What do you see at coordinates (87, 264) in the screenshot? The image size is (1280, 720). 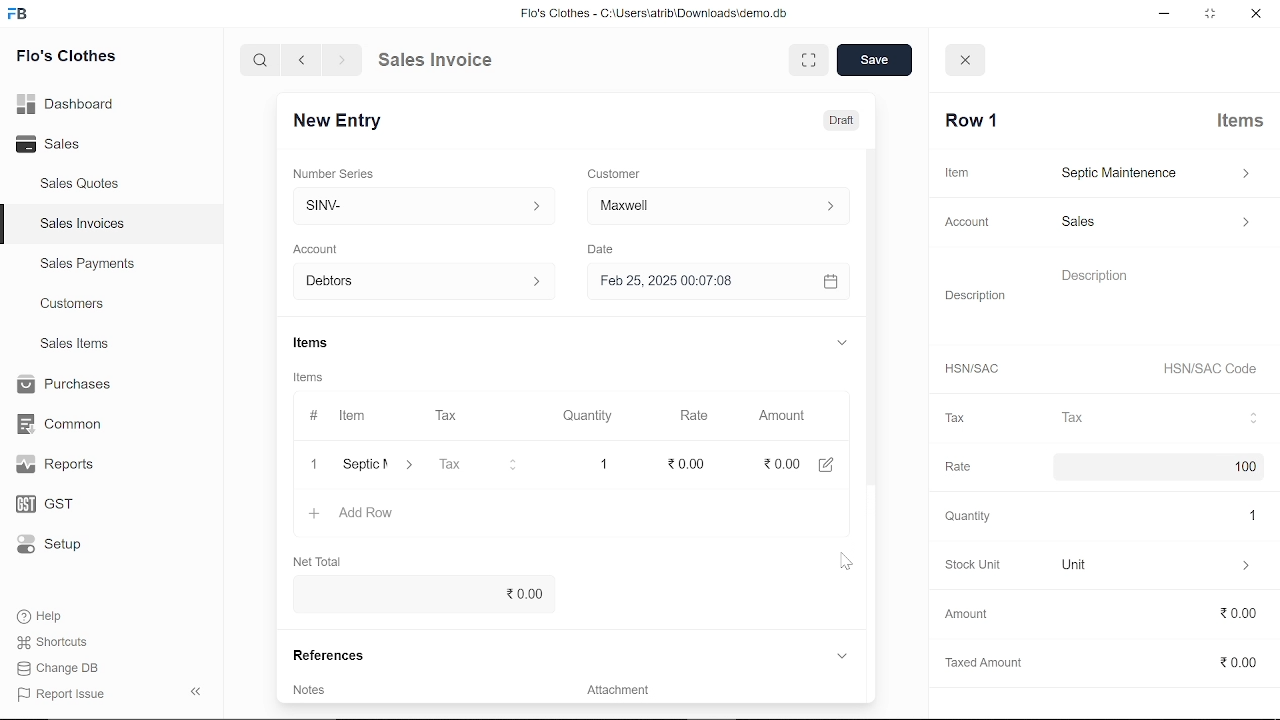 I see `Sales Payments` at bounding box center [87, 264].